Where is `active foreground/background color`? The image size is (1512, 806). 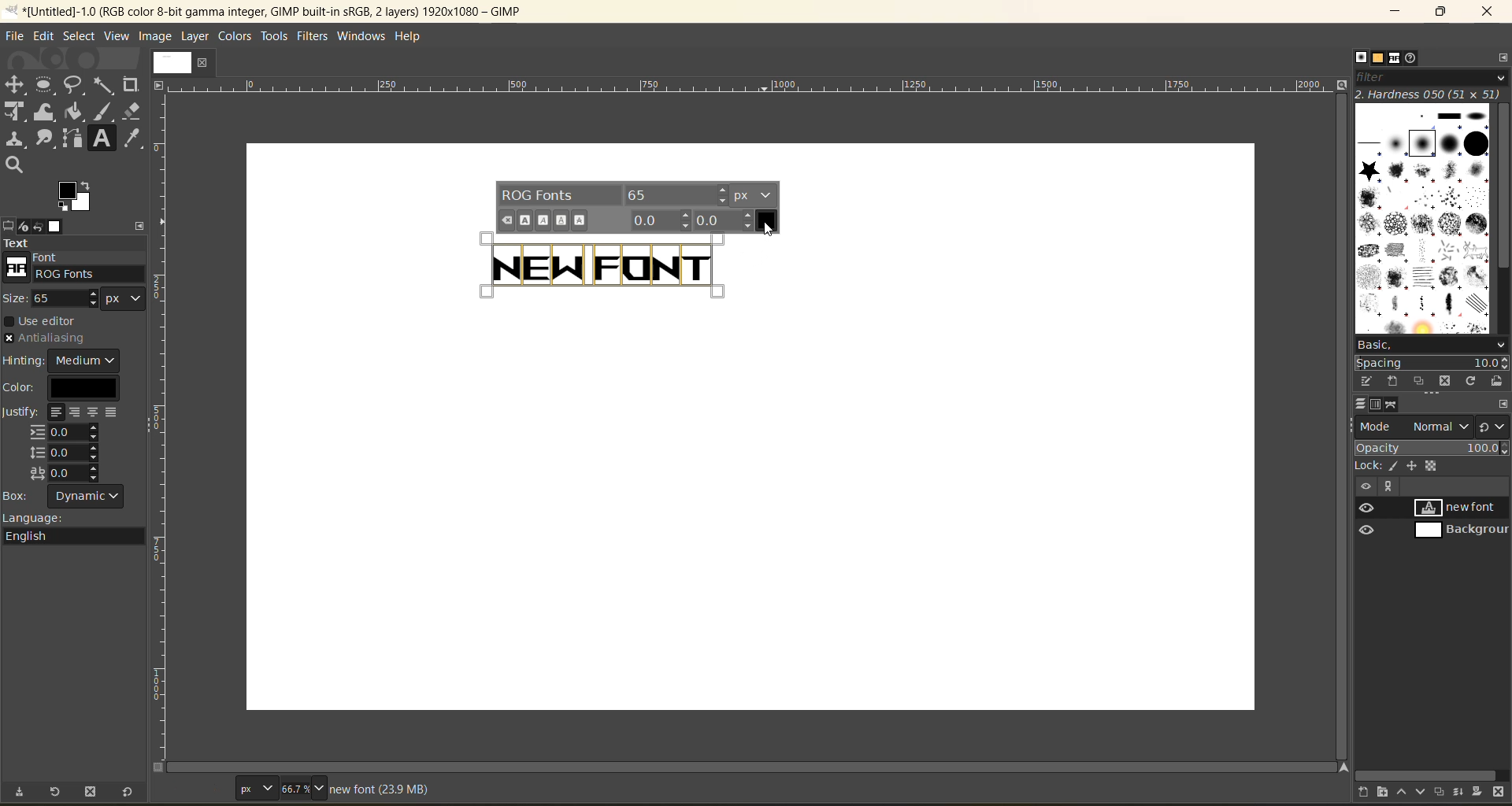
active foreground/background color is located at coordinates (78, 198).